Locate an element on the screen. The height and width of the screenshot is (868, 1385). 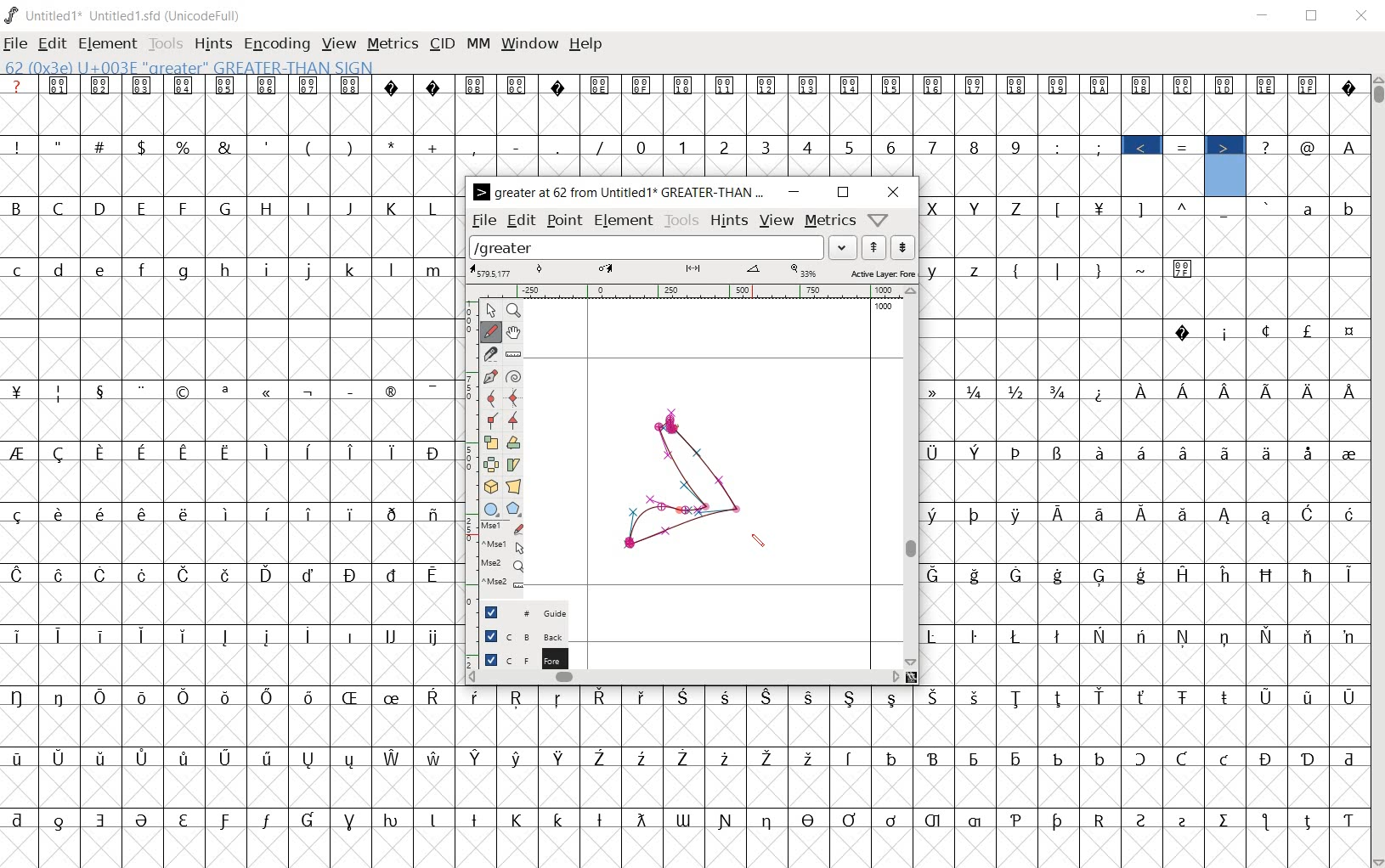
view is located at coordinates (777, 219).